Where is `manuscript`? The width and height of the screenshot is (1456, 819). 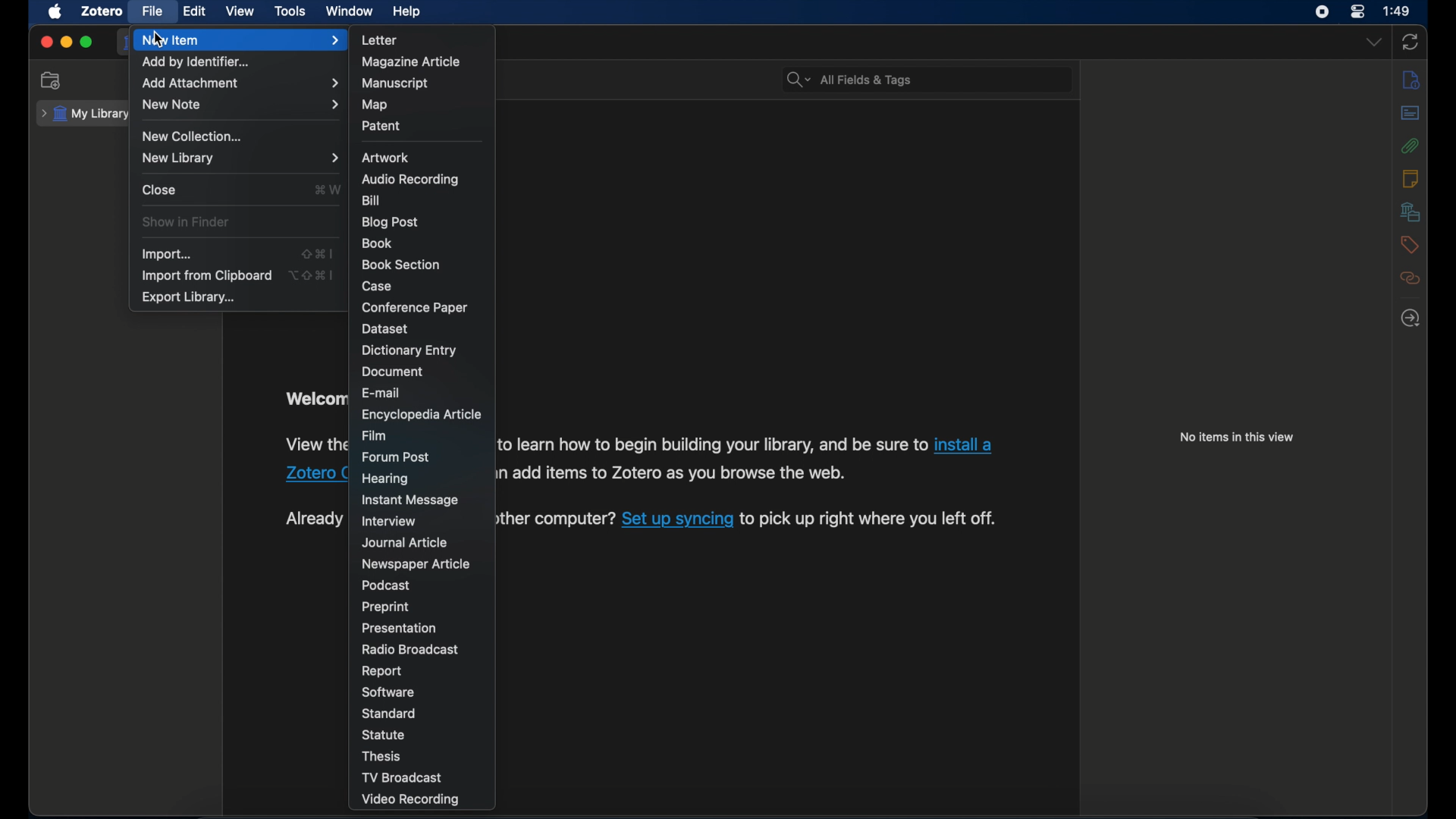
manuscript is located at coordinates (396, 84).